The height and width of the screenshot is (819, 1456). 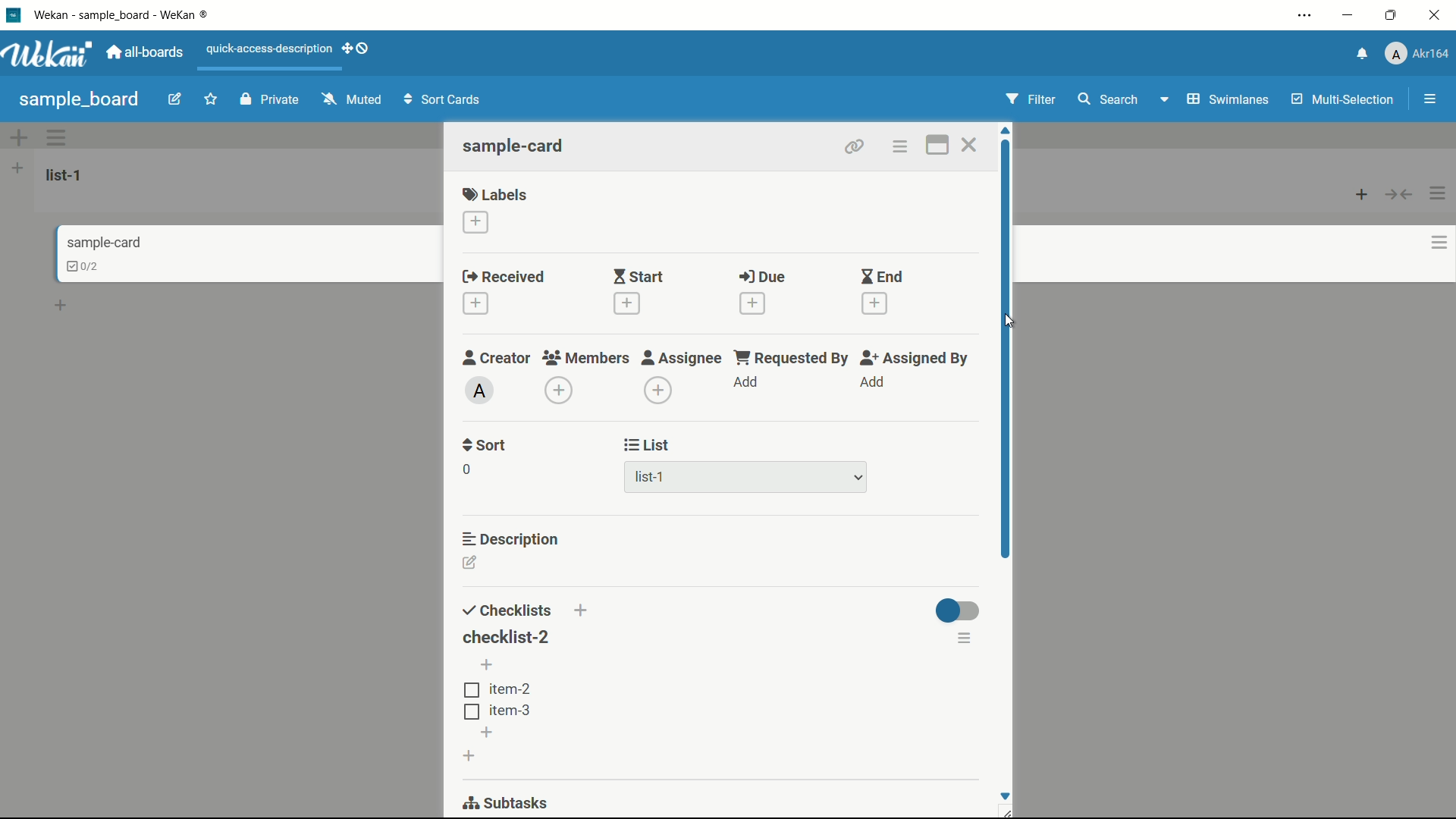 I want to click on dd, so click(x=748, y=381).